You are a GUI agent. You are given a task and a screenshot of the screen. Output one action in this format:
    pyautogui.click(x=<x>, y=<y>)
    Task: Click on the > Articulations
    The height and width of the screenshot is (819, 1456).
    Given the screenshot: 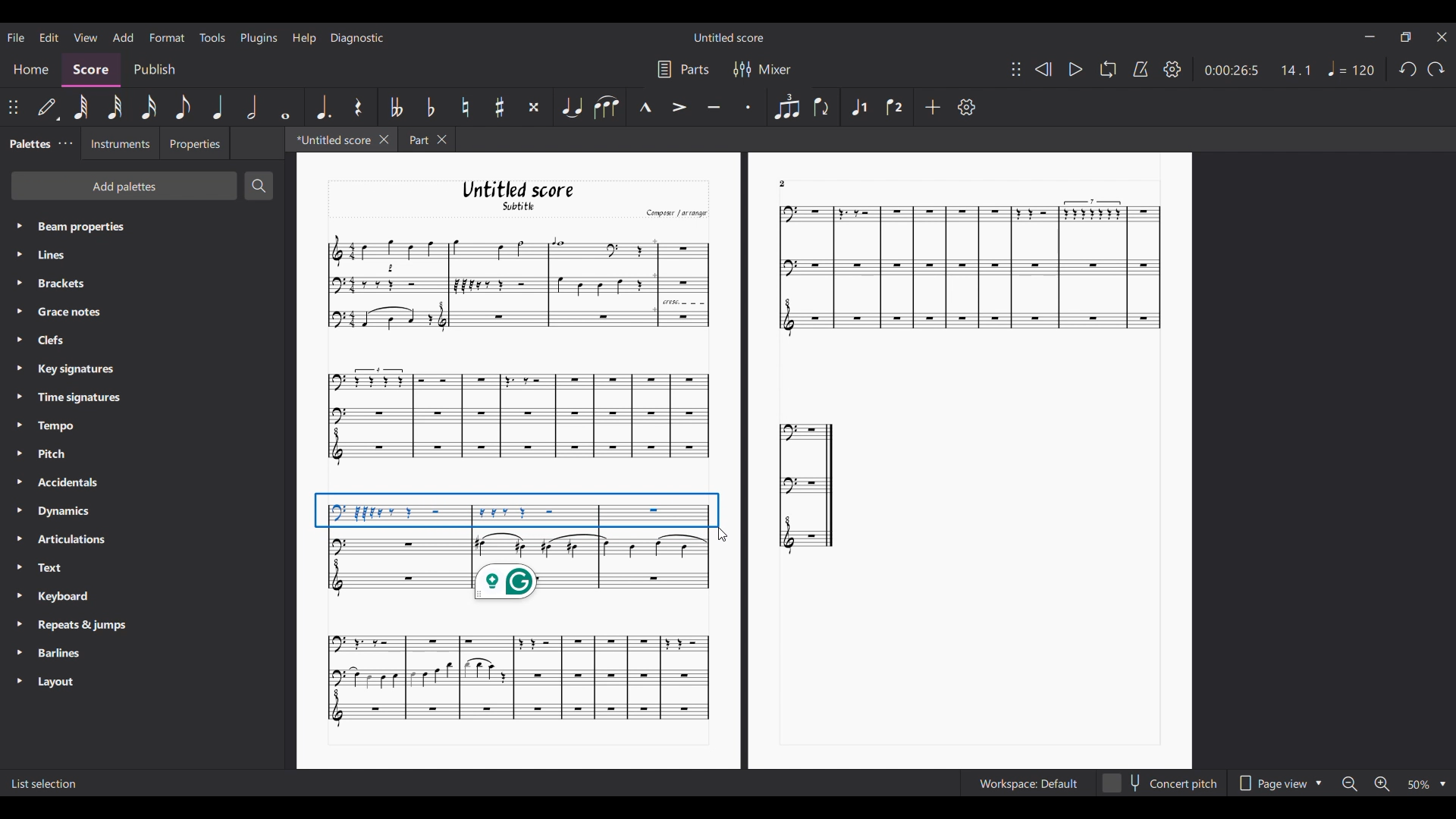 What is the action you would take?
    pyautogui.click(x=65, y=543)
    